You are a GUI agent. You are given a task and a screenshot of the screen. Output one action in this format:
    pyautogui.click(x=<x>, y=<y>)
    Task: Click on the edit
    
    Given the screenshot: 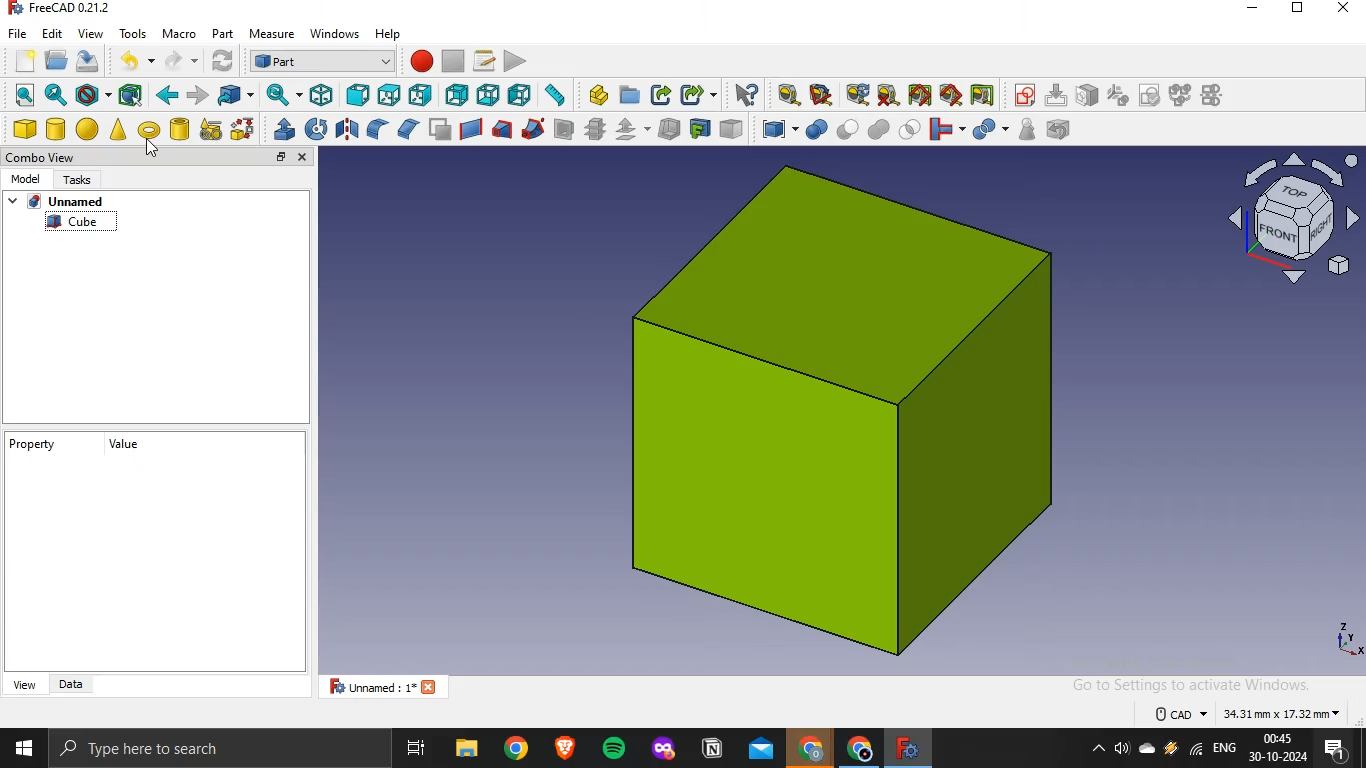 What is the action you would take?
    pyautogui.click(x=51, y=34)
    